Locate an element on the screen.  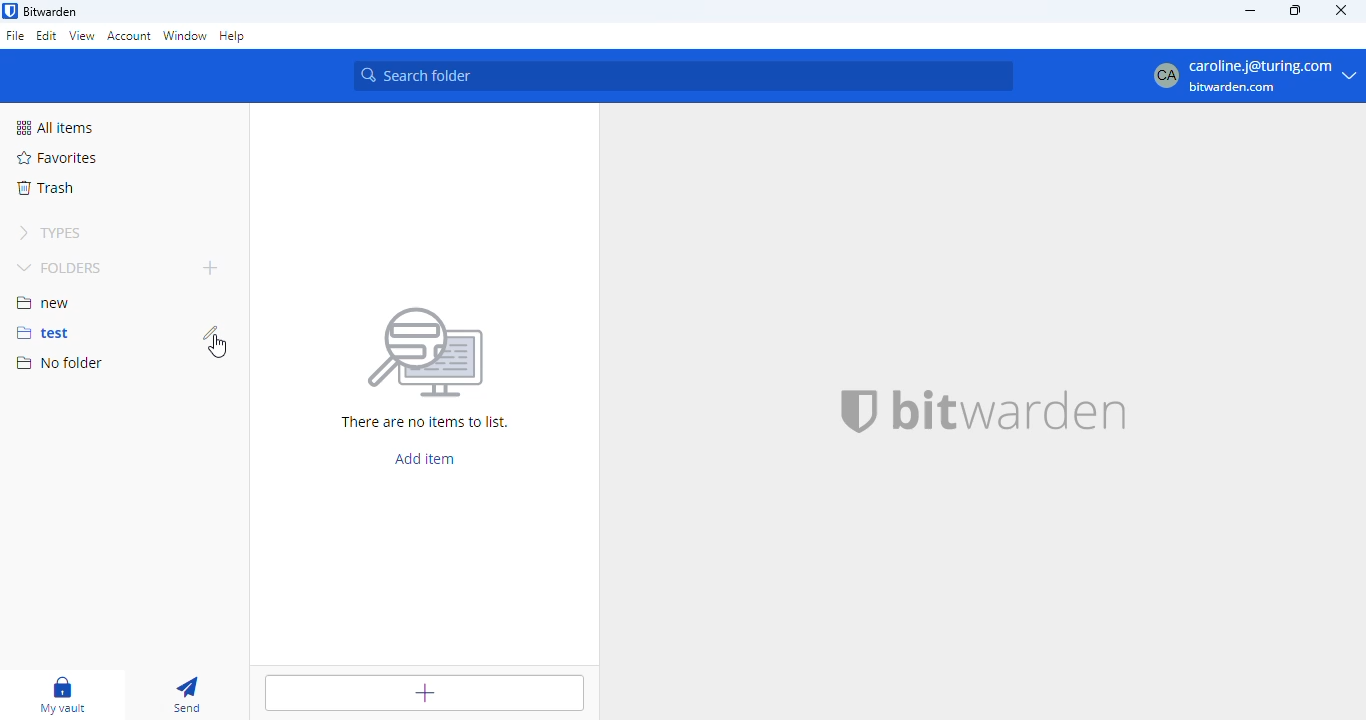
window is located at coordinates (186, 37).